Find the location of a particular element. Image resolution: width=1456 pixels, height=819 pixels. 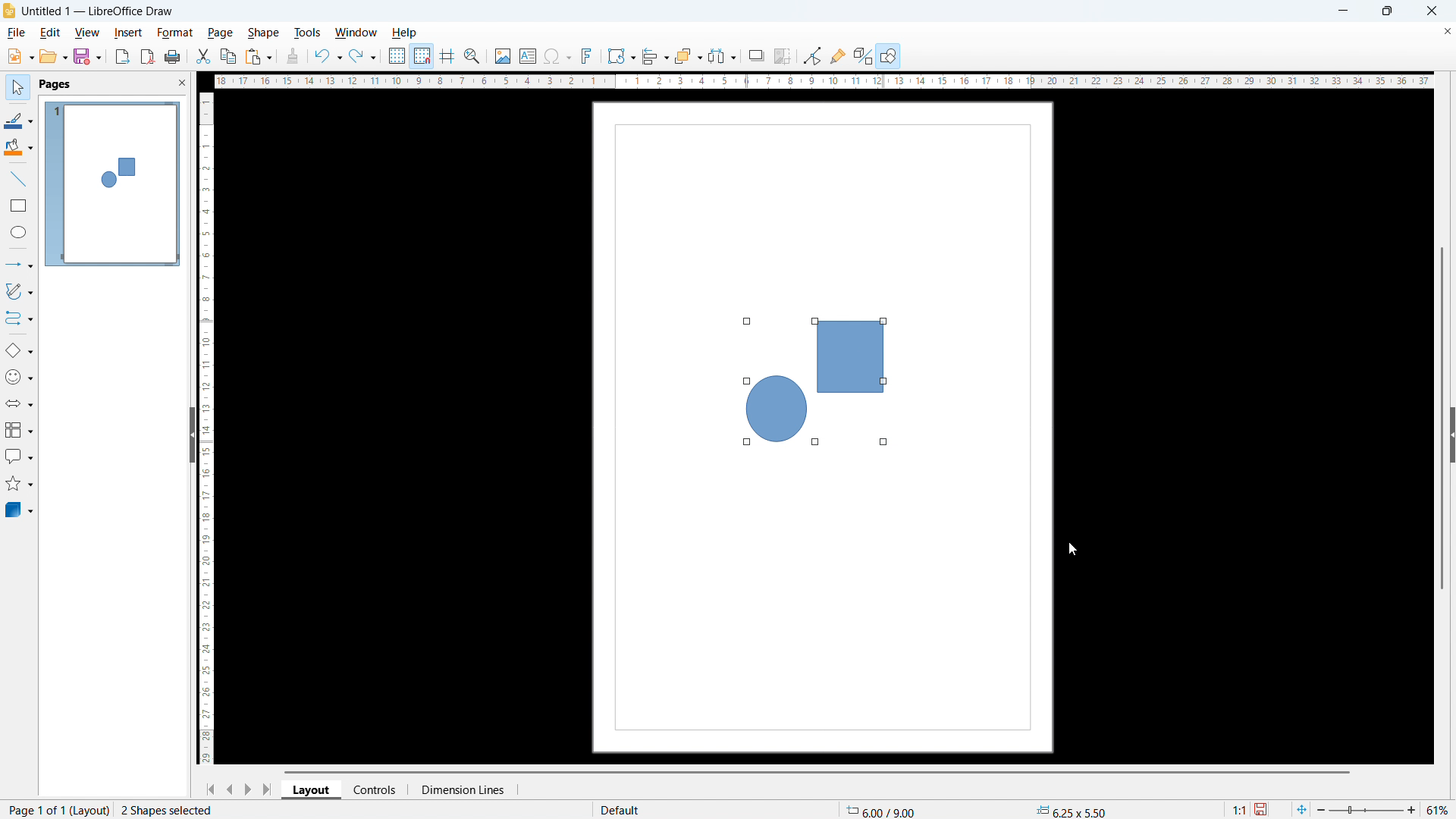

insert fontwork text is located at coordinates (588, 57).